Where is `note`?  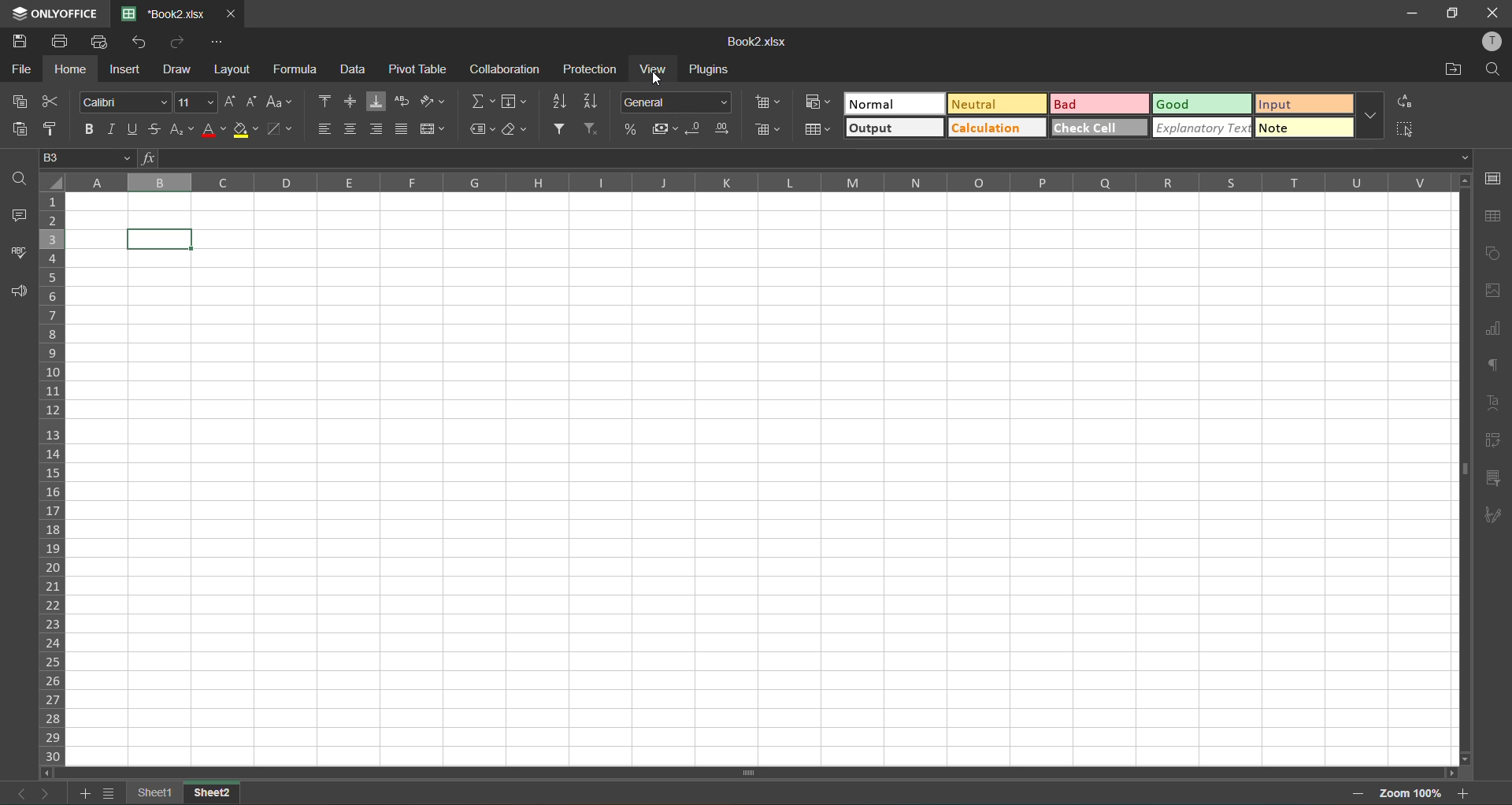 note is located at coordinates (1303, 128).